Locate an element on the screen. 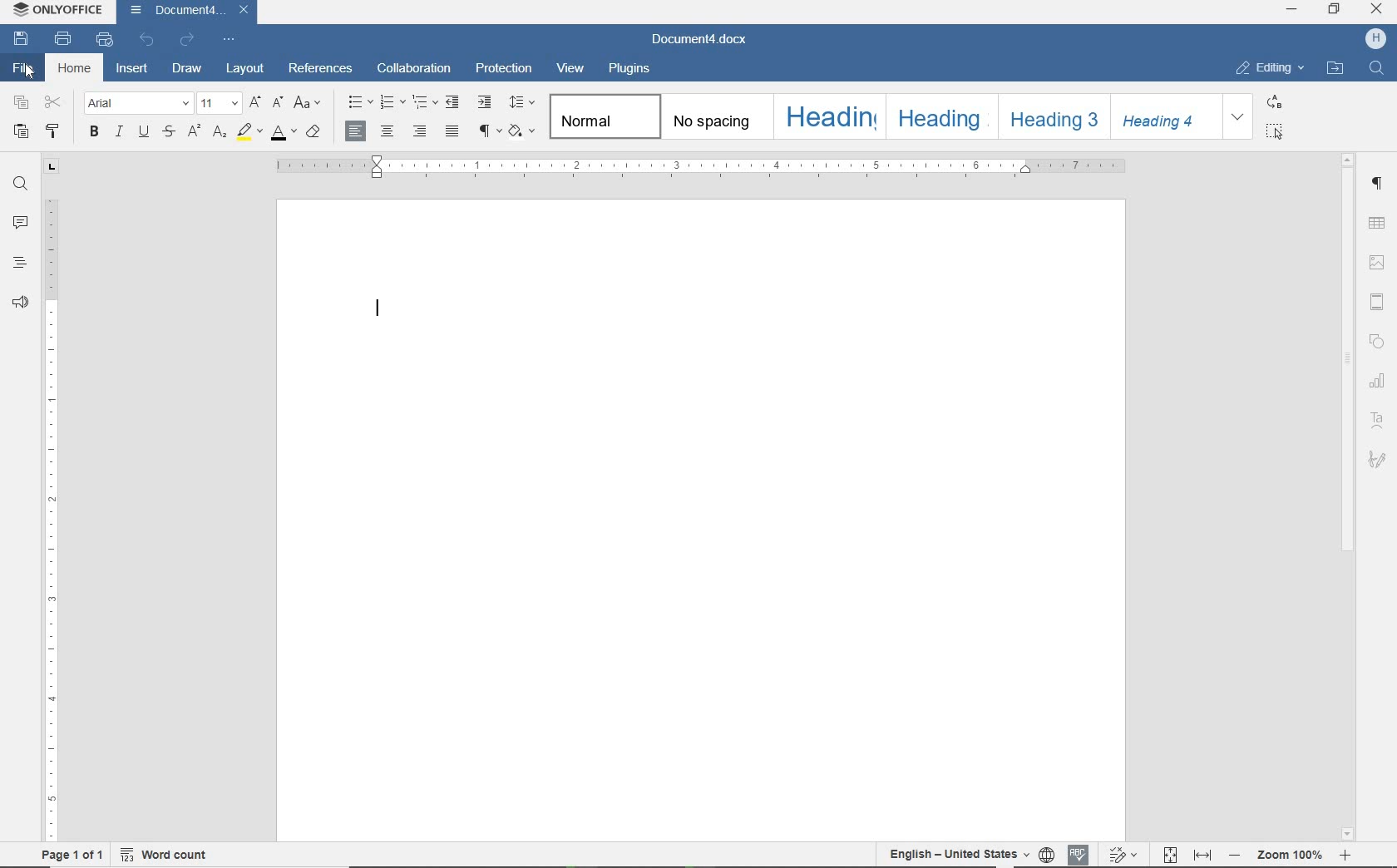 This screenshot has height=868, width=1397. fit to width is located at coordinates (1203, 856).